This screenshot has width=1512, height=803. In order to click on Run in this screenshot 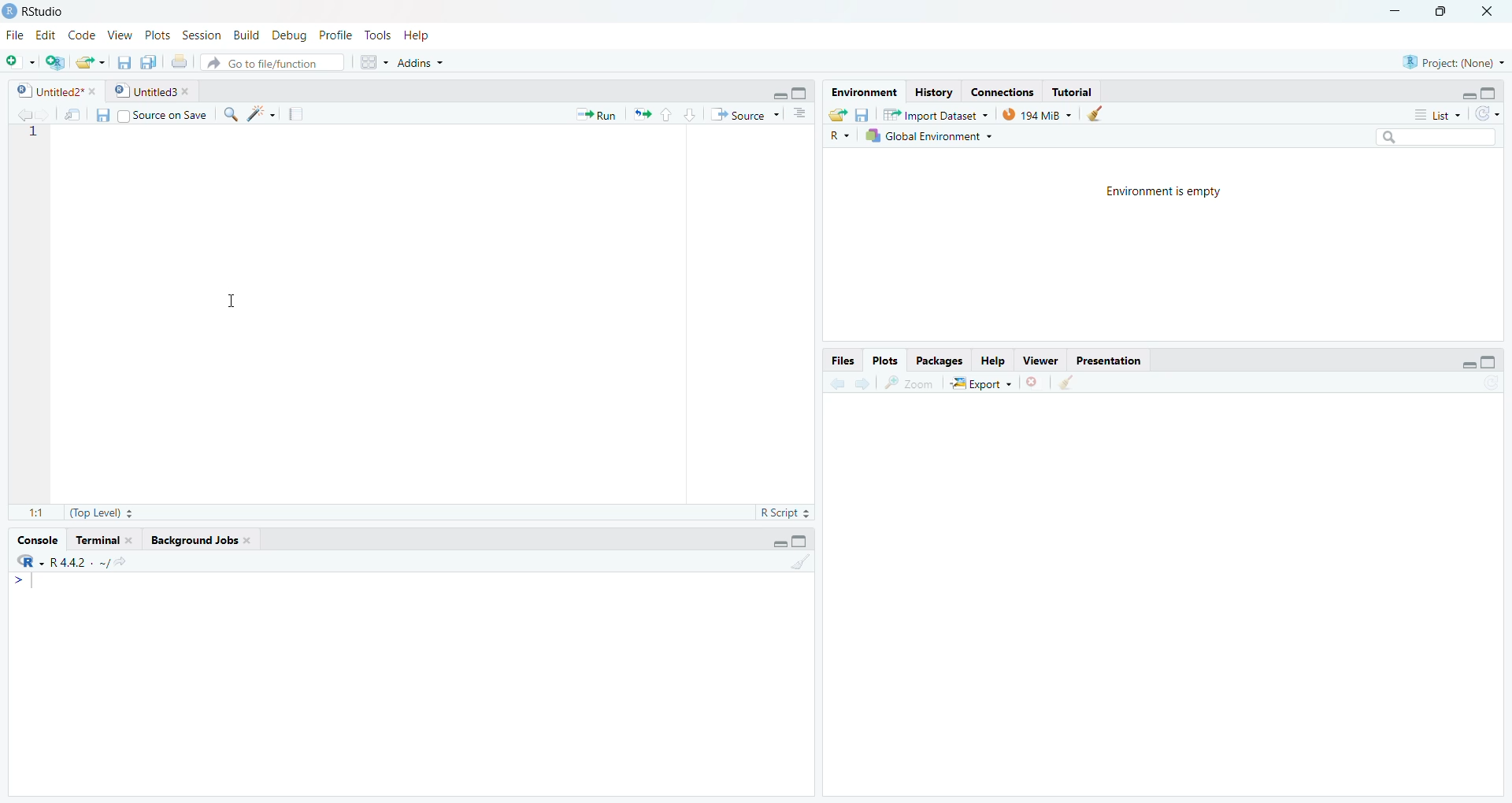, I will do `click(597, 115)`.